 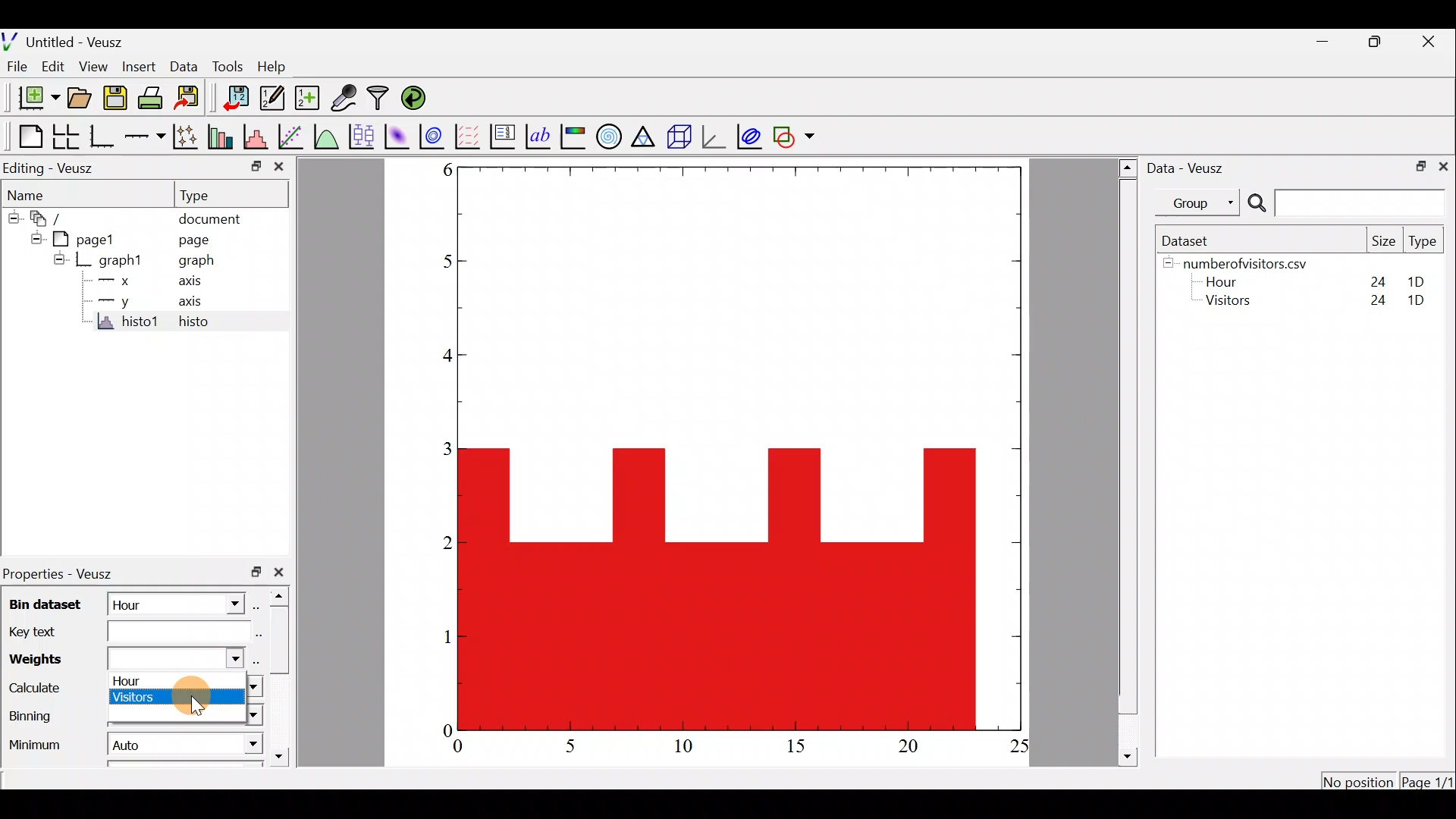 I want to click on document, so click(x=214, y=218).